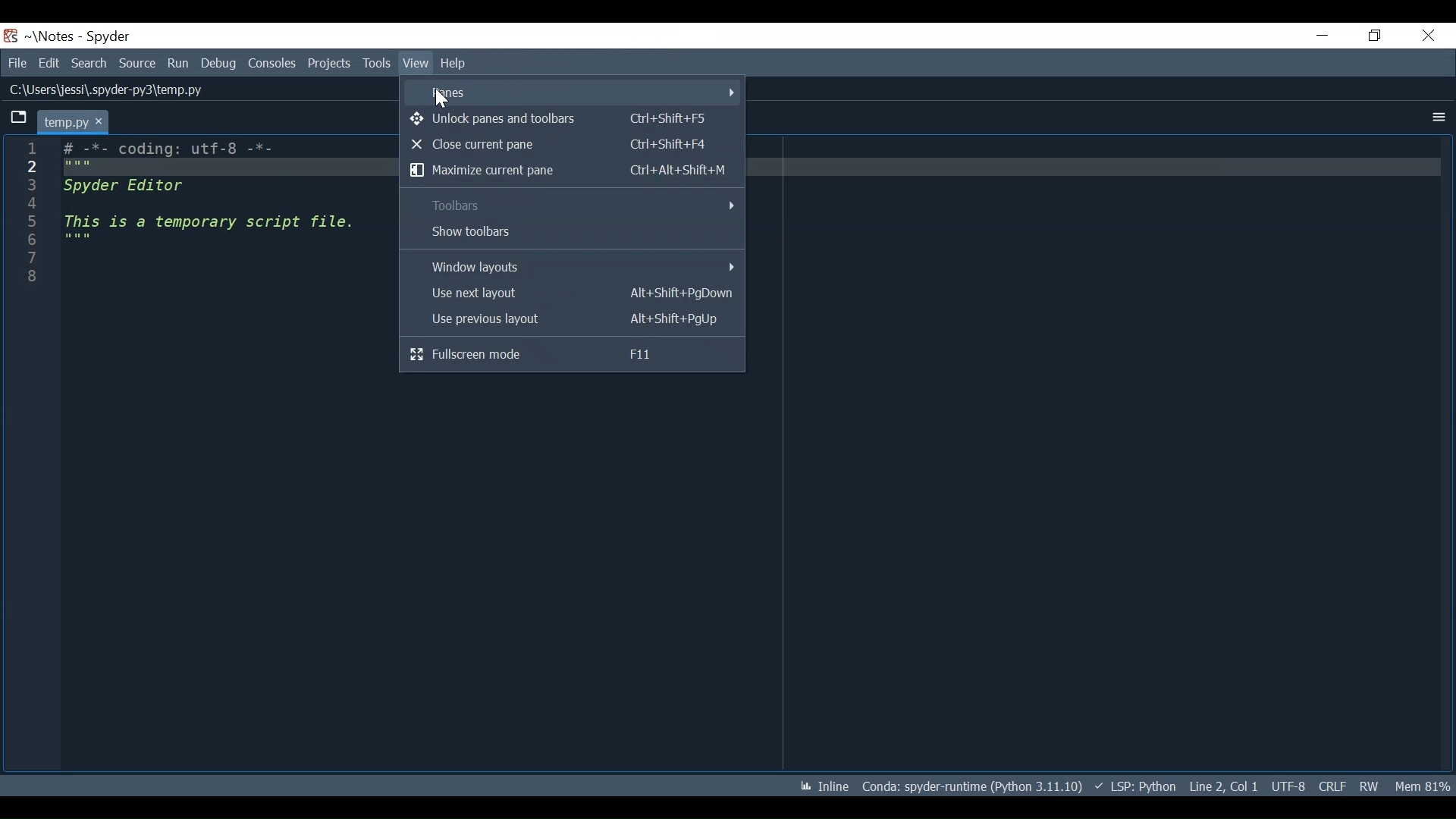  Describe the element at coordinates (91, 63) in the screenshot. I see `Search` at that location.